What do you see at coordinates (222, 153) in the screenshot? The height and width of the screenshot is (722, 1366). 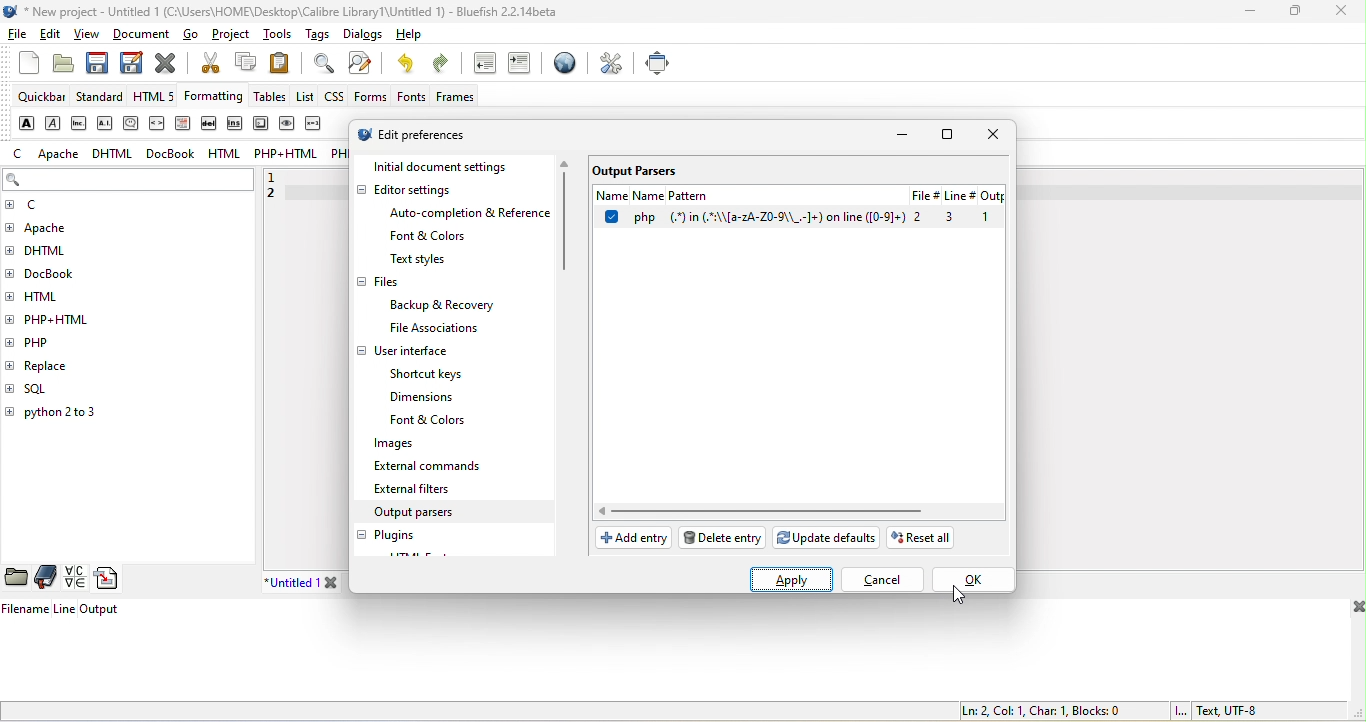 I see `html` at bounding box center [222, 153].